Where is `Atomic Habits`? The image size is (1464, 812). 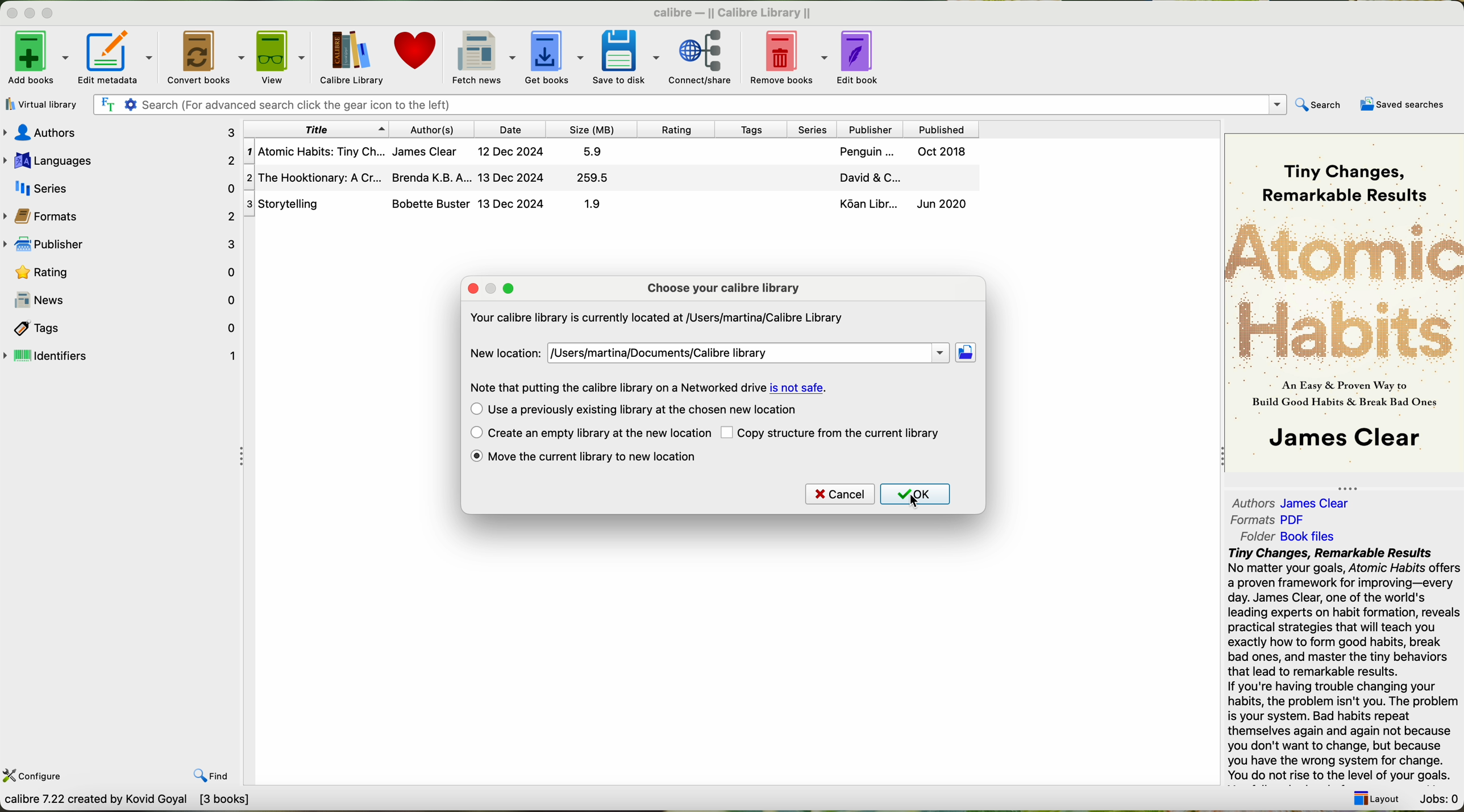 Atomic Habits is located at coordinates (1344, 291).